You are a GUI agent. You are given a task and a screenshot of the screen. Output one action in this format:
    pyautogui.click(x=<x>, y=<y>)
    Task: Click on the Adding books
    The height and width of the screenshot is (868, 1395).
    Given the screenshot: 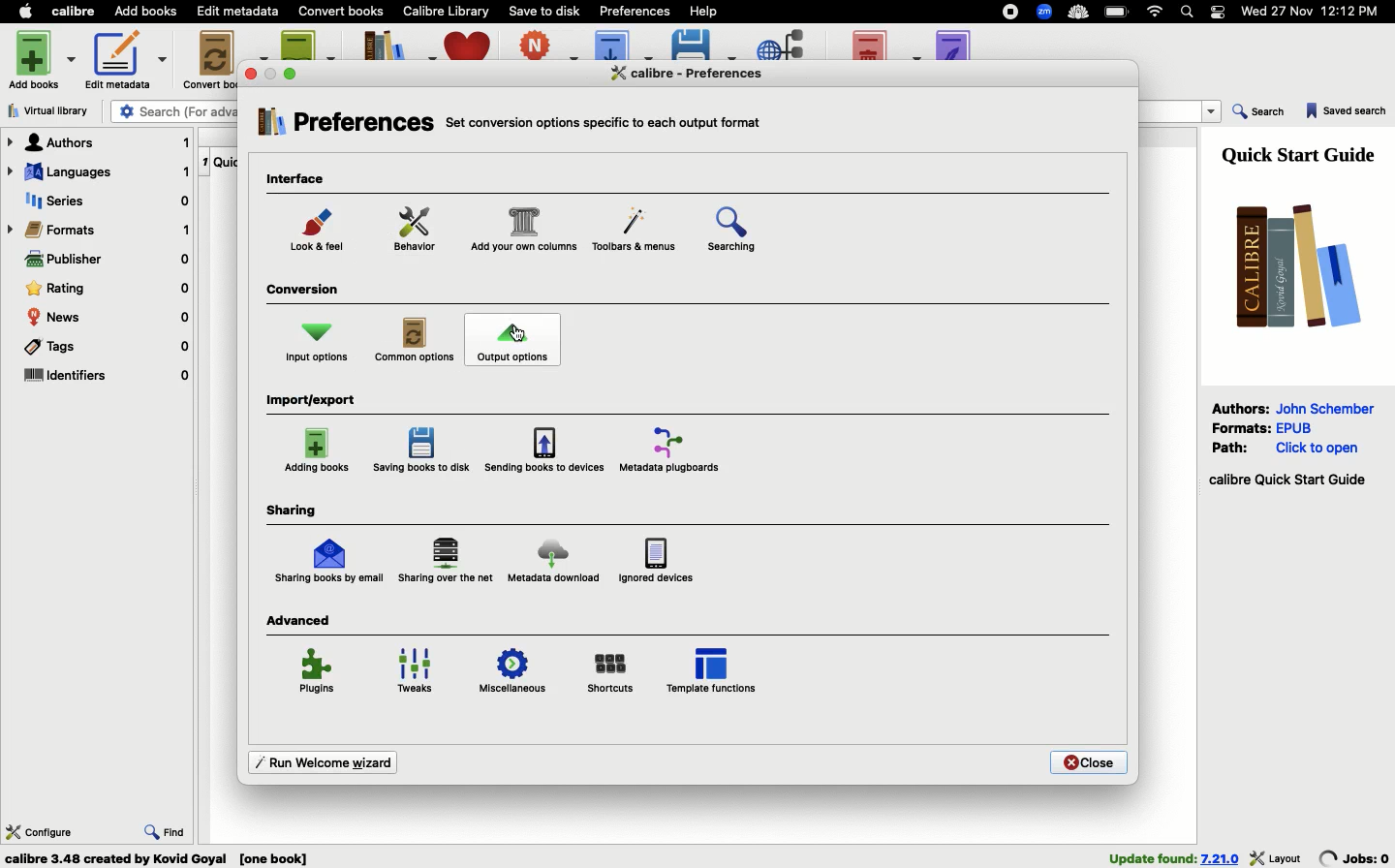 What is the action you would take?
    pyautogui.click(x=319, y=450)
    